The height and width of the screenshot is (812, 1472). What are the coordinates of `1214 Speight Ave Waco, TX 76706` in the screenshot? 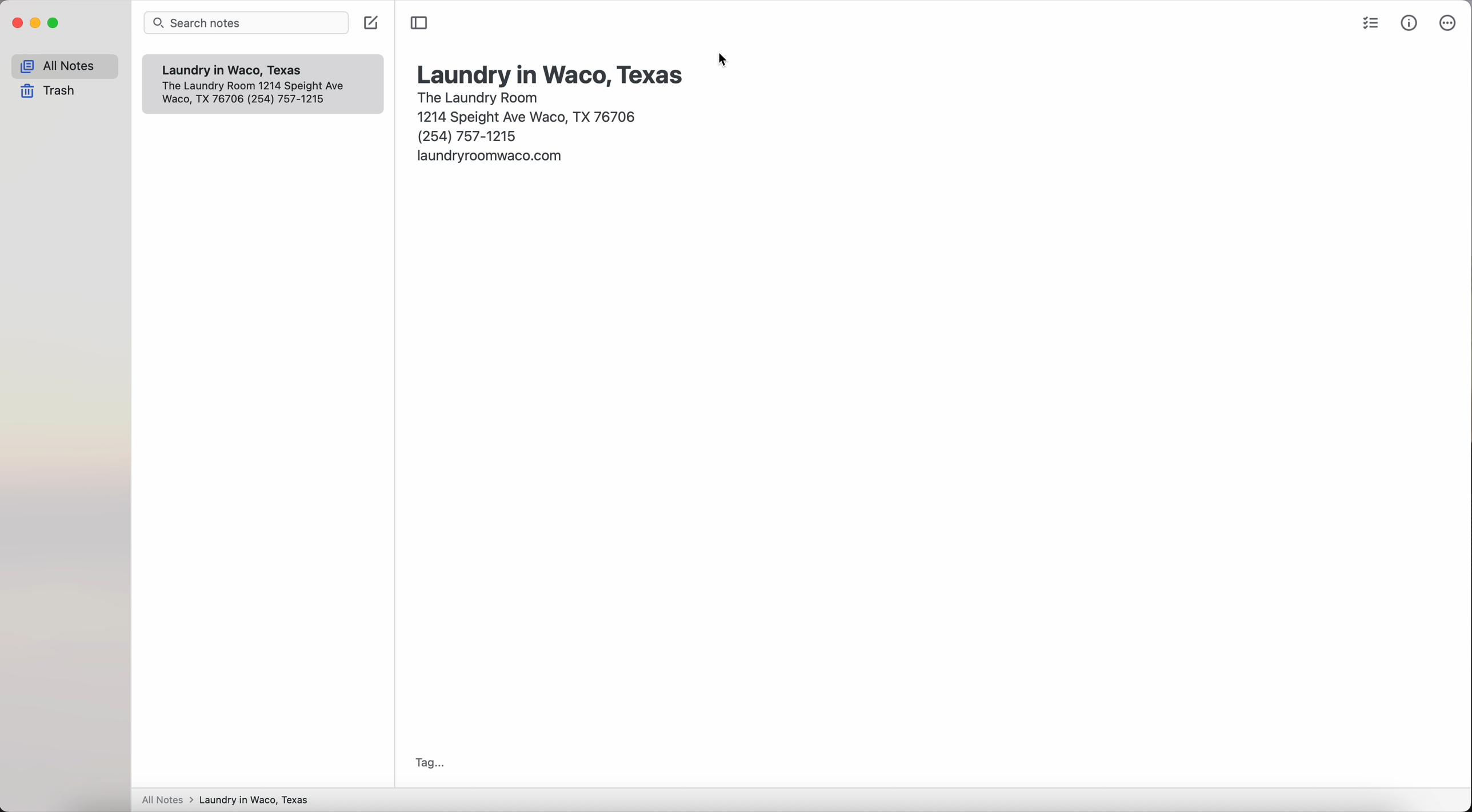 It's located at (530, 115).